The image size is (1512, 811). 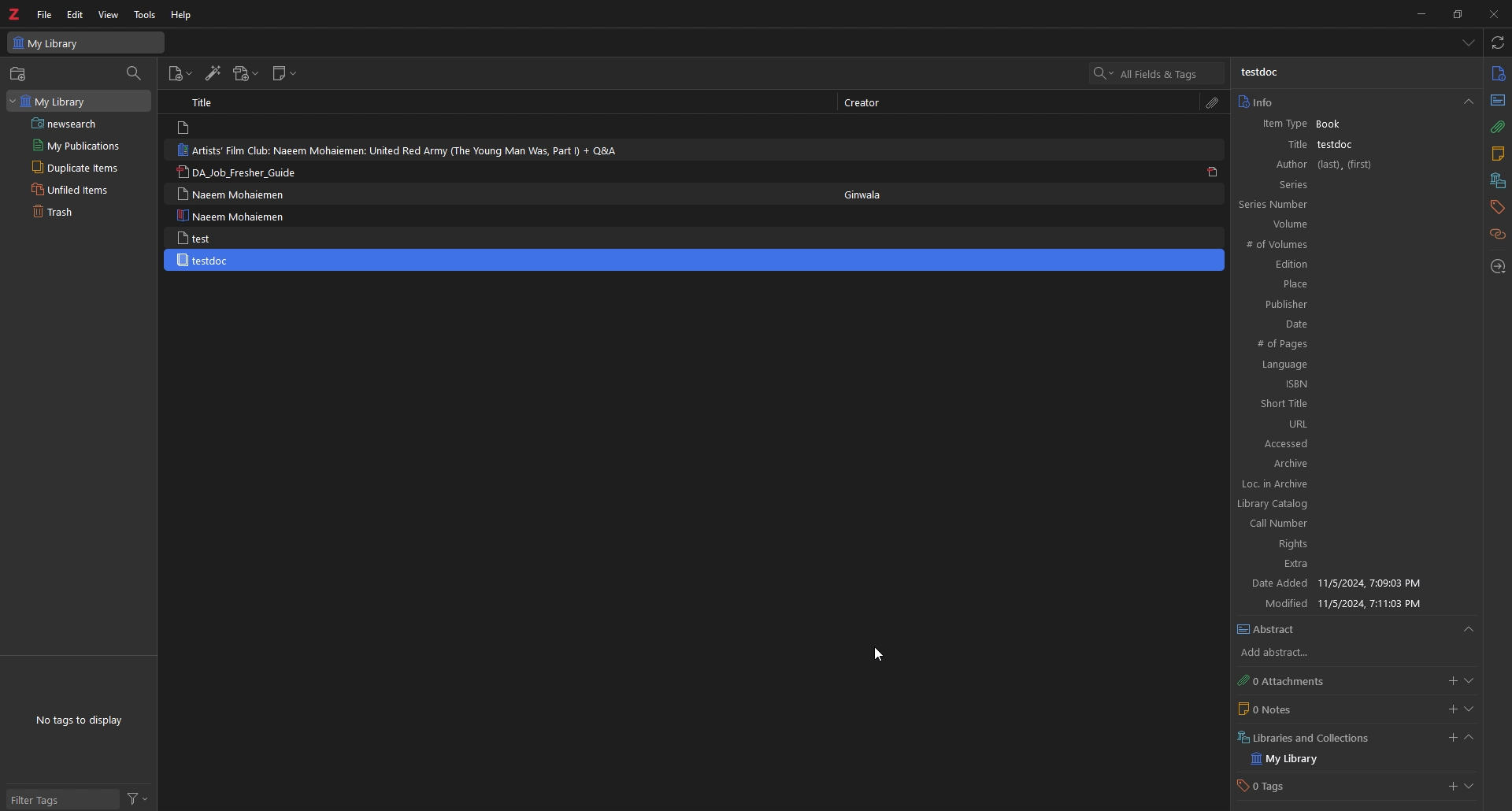 What do you see at coordinates (1352, 465) in the screenshot?
I see `Archive` at bounding box center [1352, 465].